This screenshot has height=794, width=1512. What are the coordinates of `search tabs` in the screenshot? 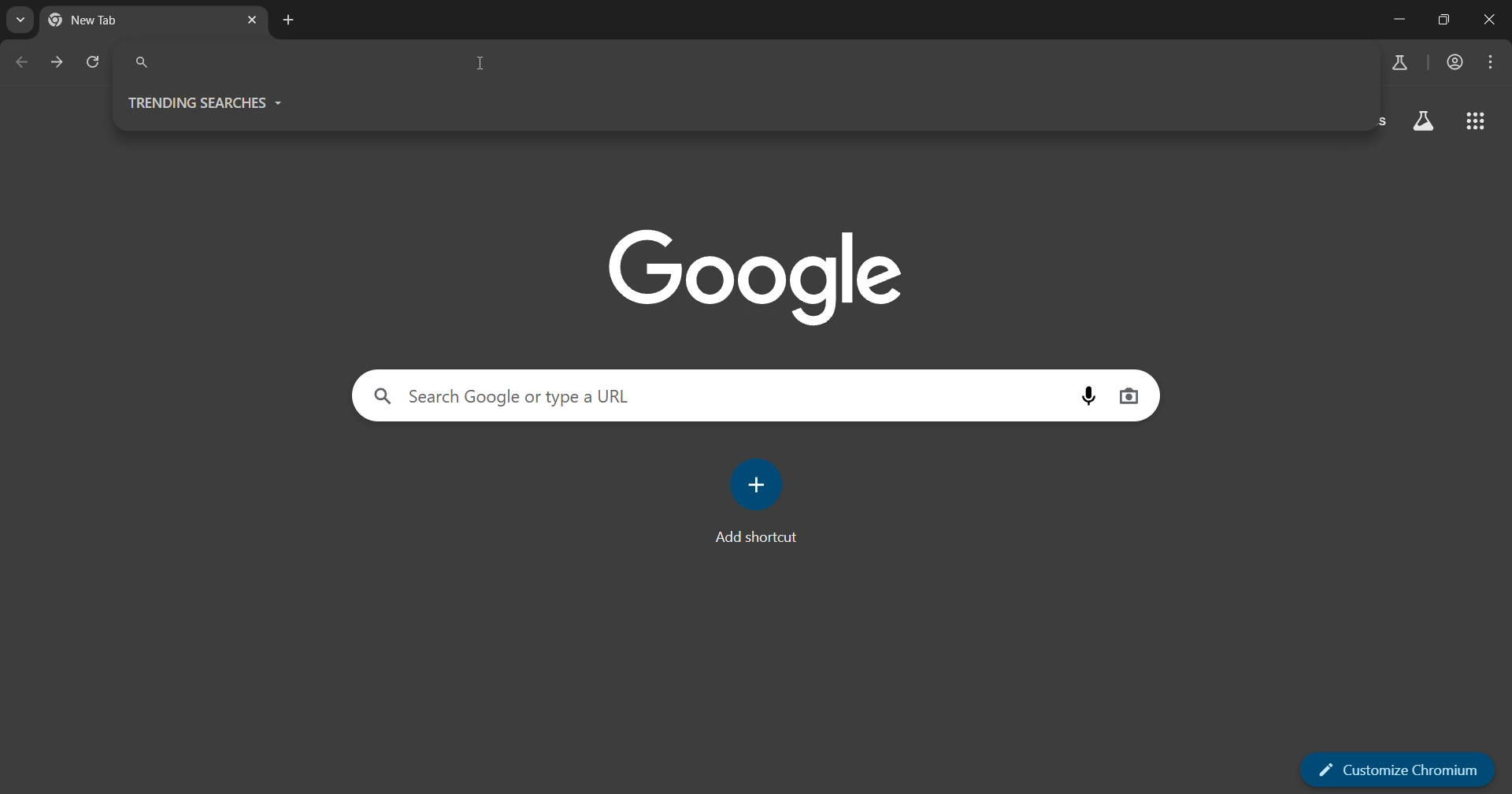 It's located at (19, 20).